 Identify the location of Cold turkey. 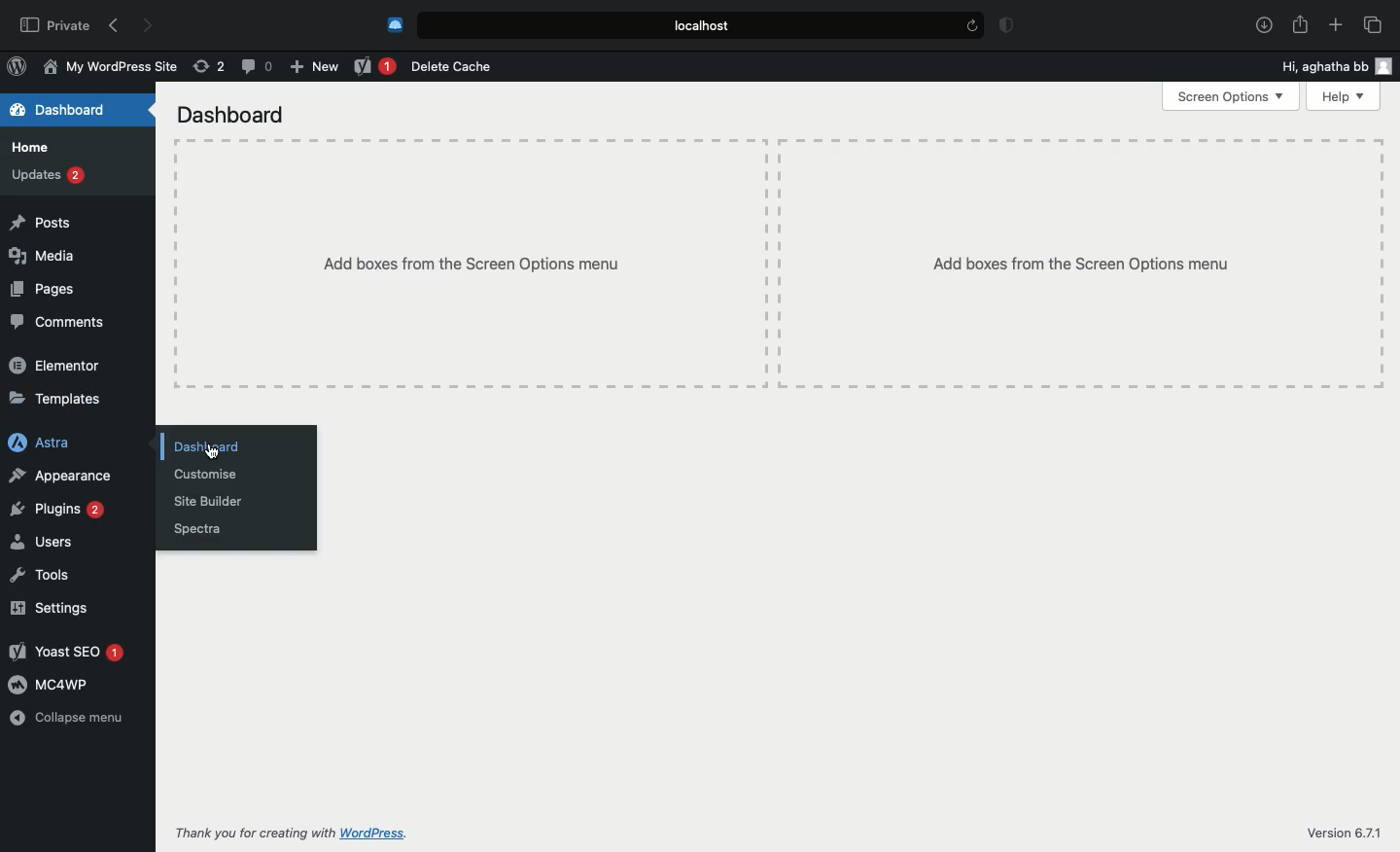
(396, 25).